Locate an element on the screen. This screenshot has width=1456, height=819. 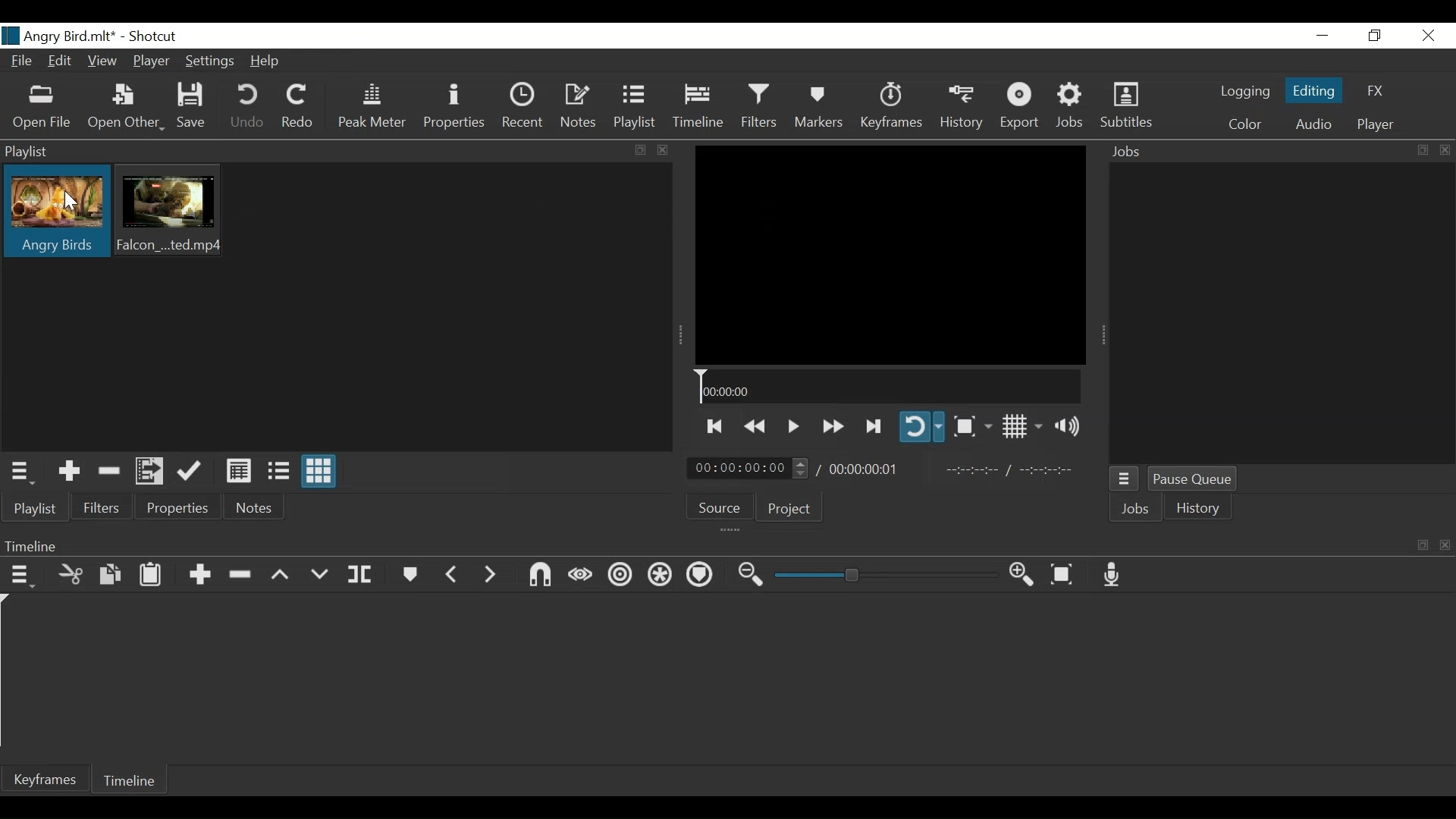
Overwrite is located at coordinates (319, 572).